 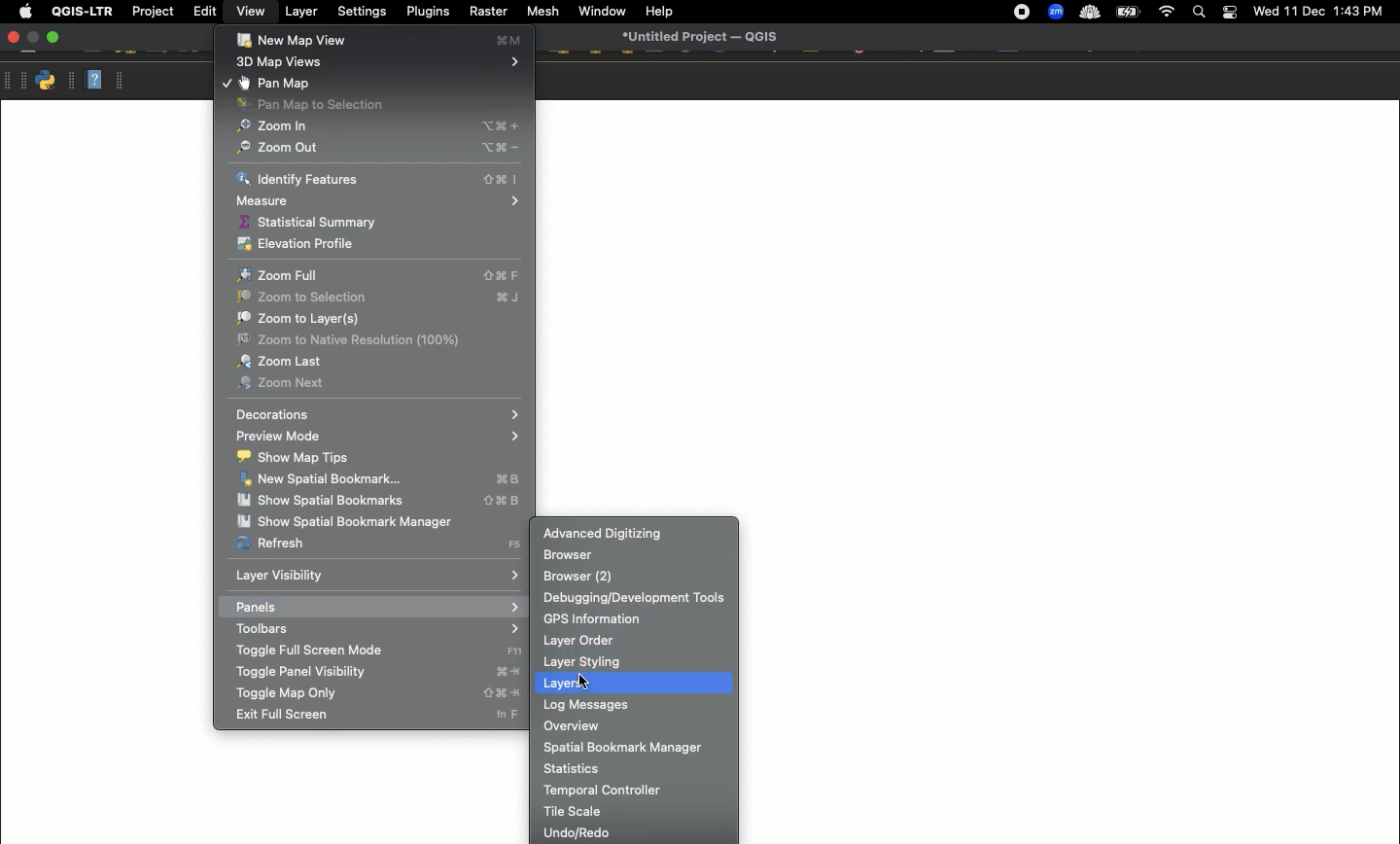 What do you see at coordinates (375, 242) in the screenshot?
I see `Elevation profile` at bounding box center [375, 242].